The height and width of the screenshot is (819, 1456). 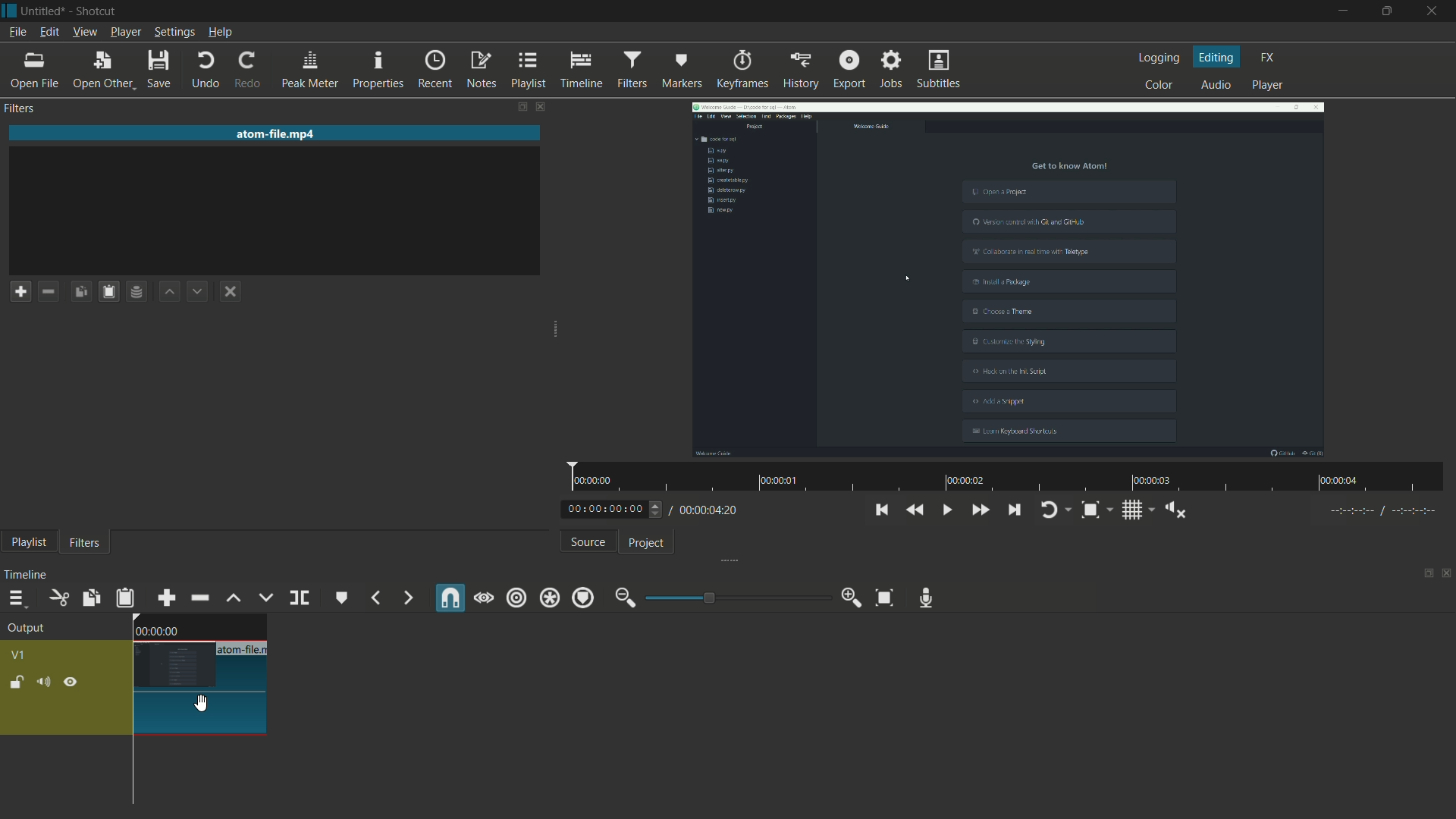 What do you see at coordinates (202, 704) in the screenshot?
I see `cursor` at bounding box center [202, 704].